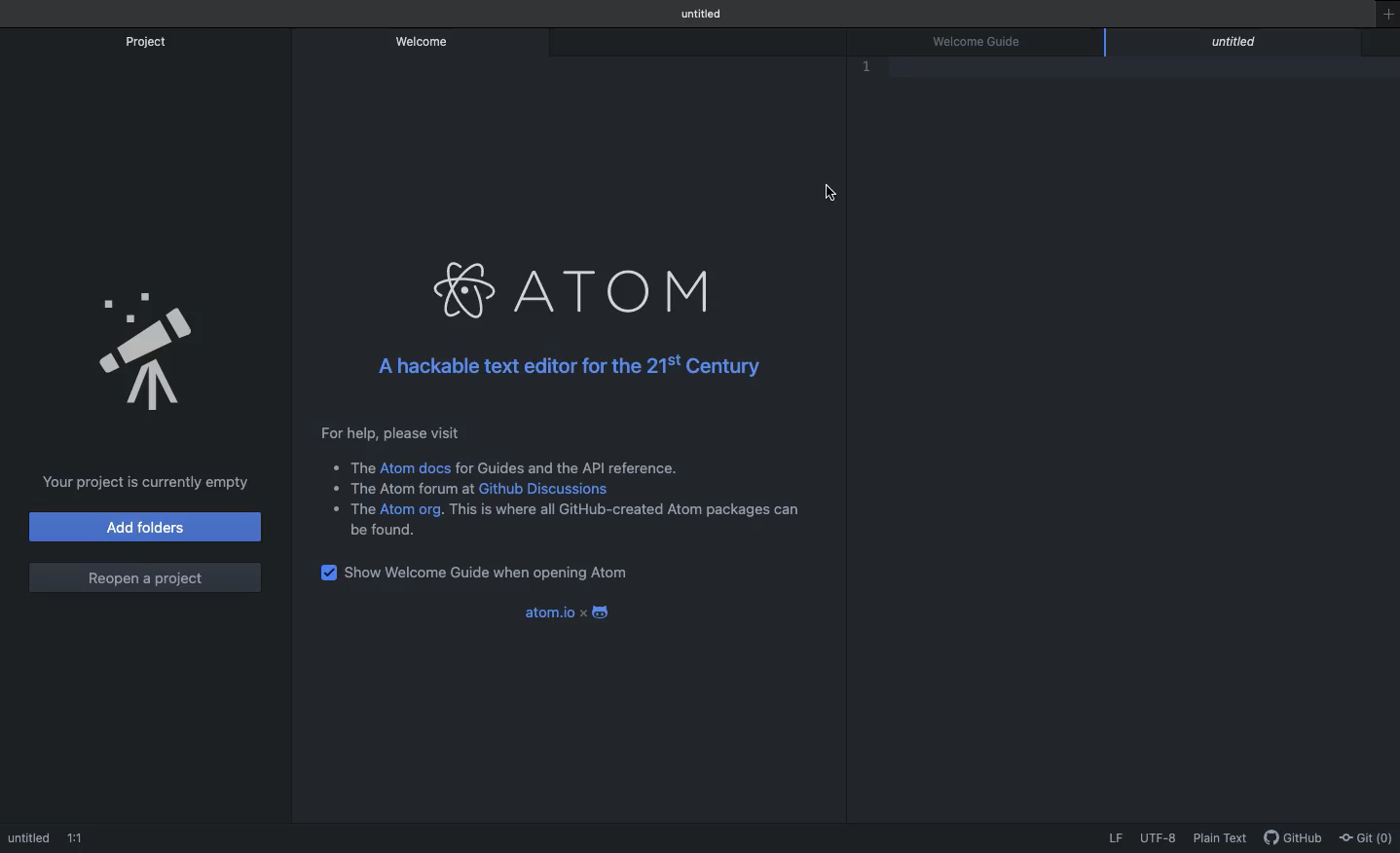  I want to click on Atom docs Link, so click(416, 465).